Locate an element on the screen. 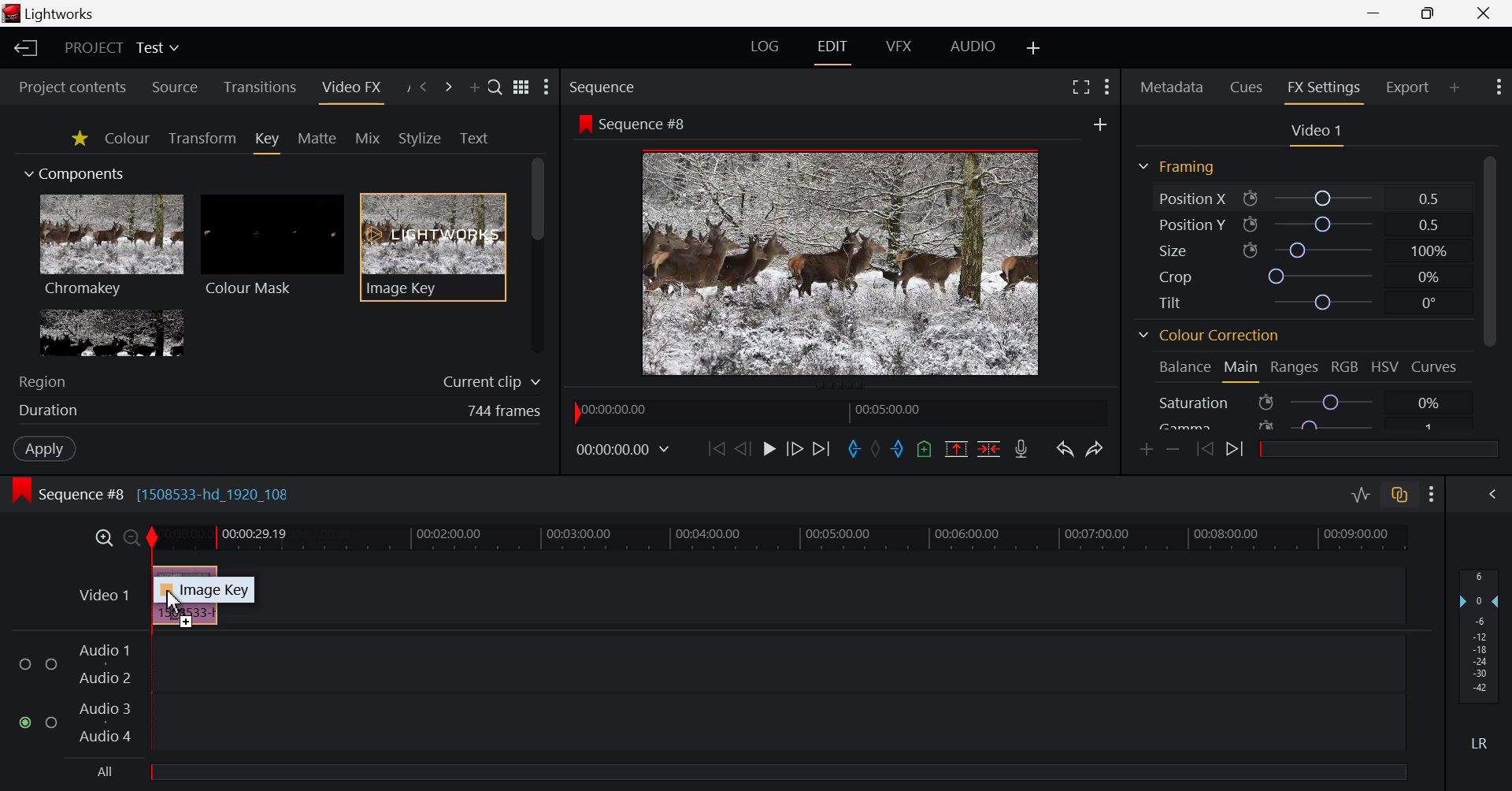  Restore Down is located at coordinates (1375, 13).